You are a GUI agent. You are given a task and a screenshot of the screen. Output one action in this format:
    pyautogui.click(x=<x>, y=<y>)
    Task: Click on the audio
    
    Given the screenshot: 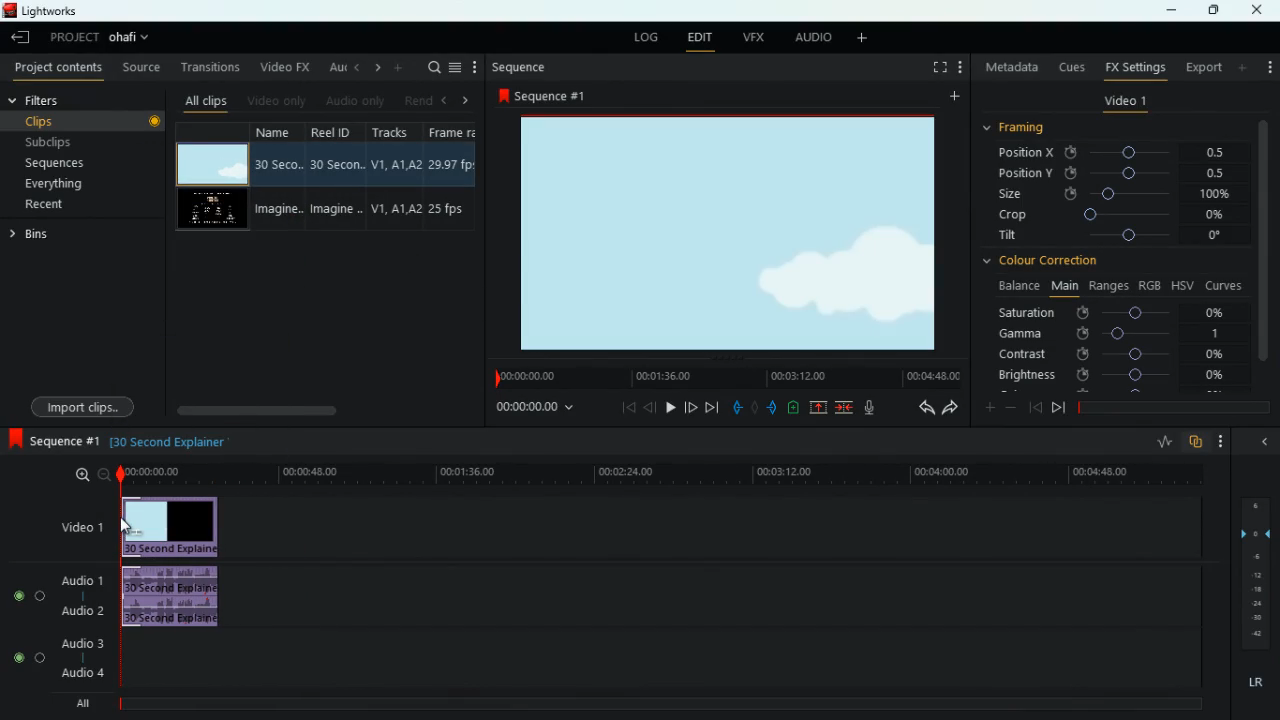 What is the action you would take?
    pyautogui.click(x=807, y=37)
    